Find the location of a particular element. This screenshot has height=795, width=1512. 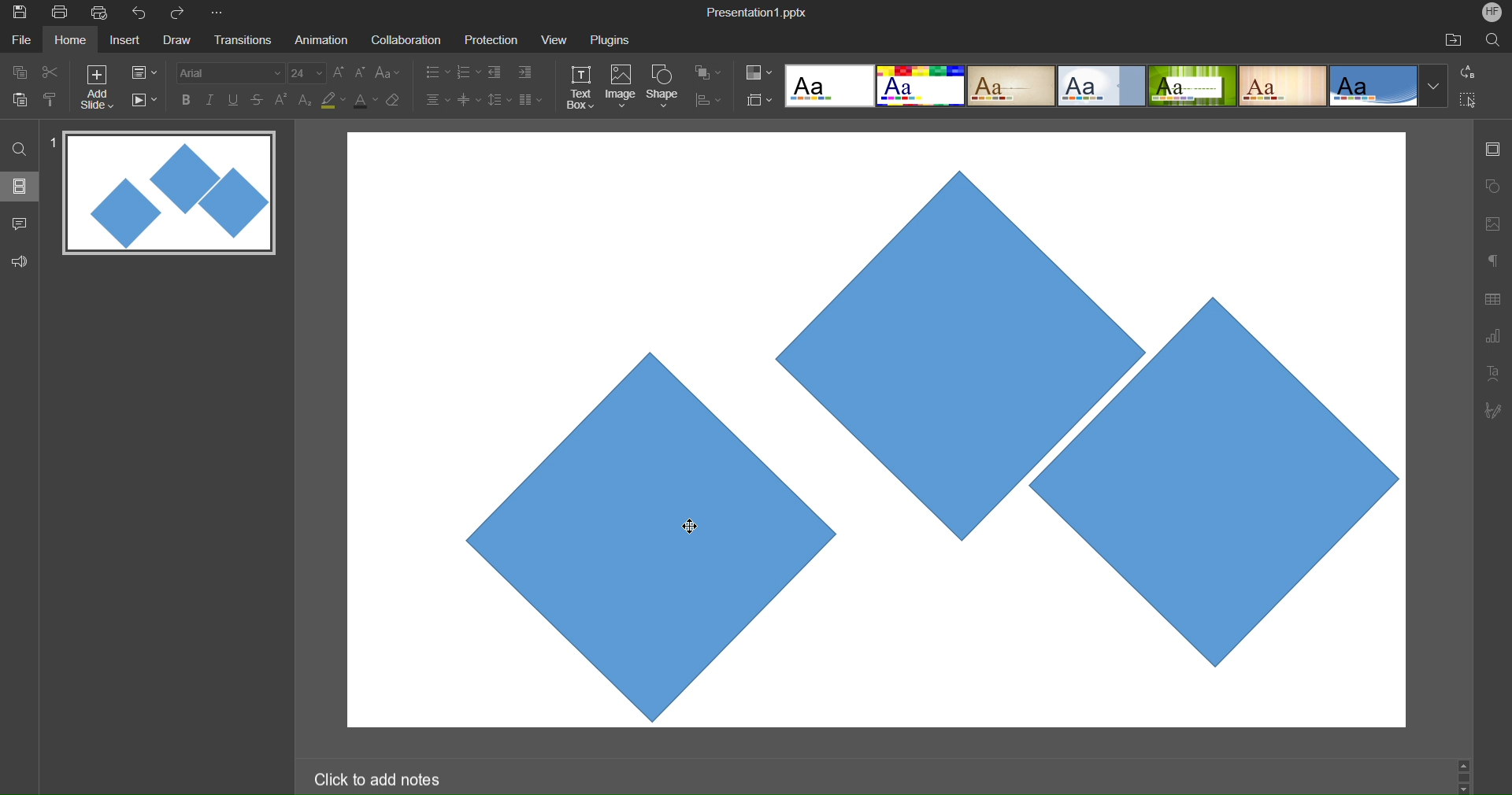

Increase Font is located at coordinates (339, 72).